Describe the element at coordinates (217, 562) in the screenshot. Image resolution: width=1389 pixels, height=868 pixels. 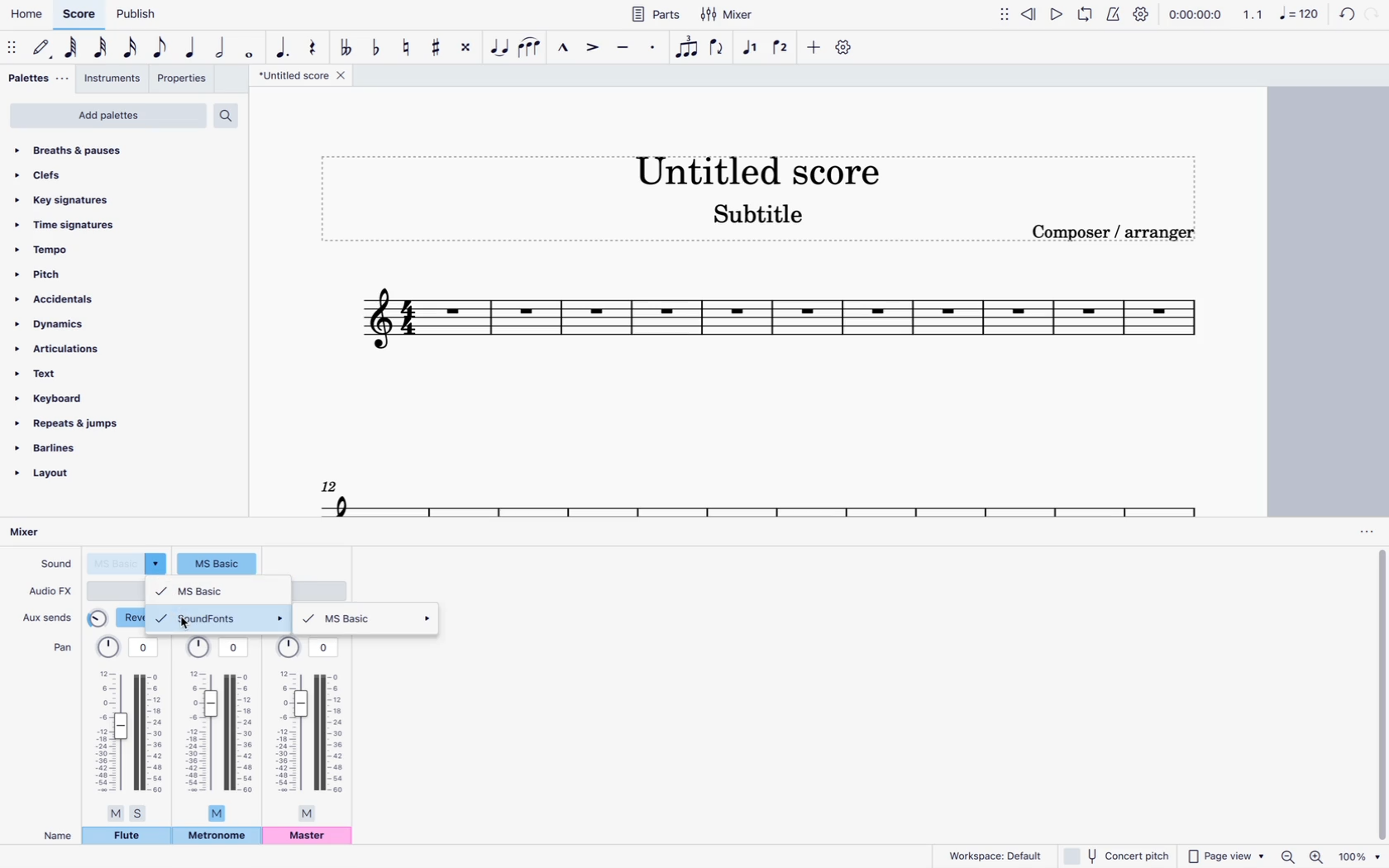
I see `sound type` at that location.